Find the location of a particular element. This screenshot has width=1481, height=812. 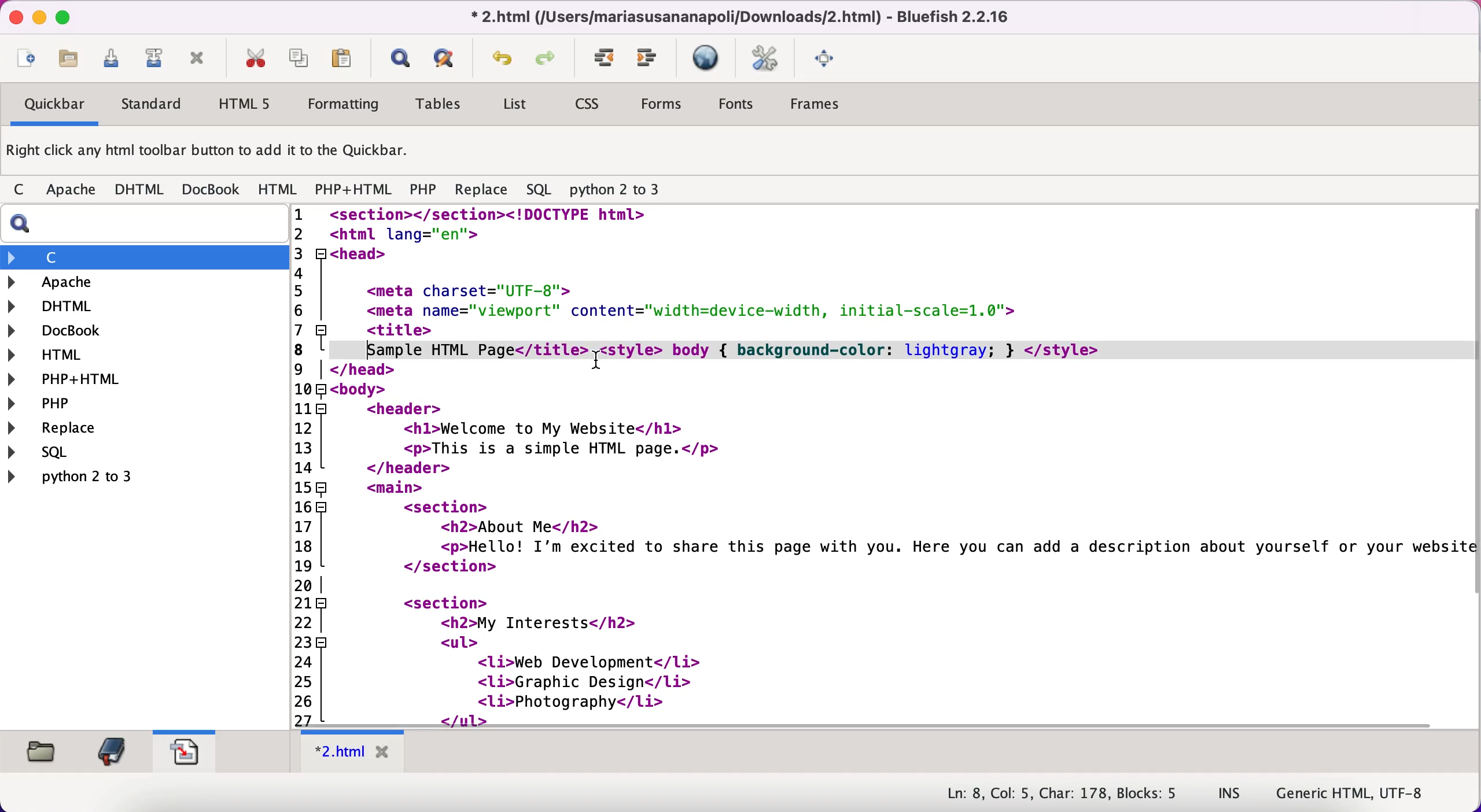

bookmarks is located at coordinates (111, 751).